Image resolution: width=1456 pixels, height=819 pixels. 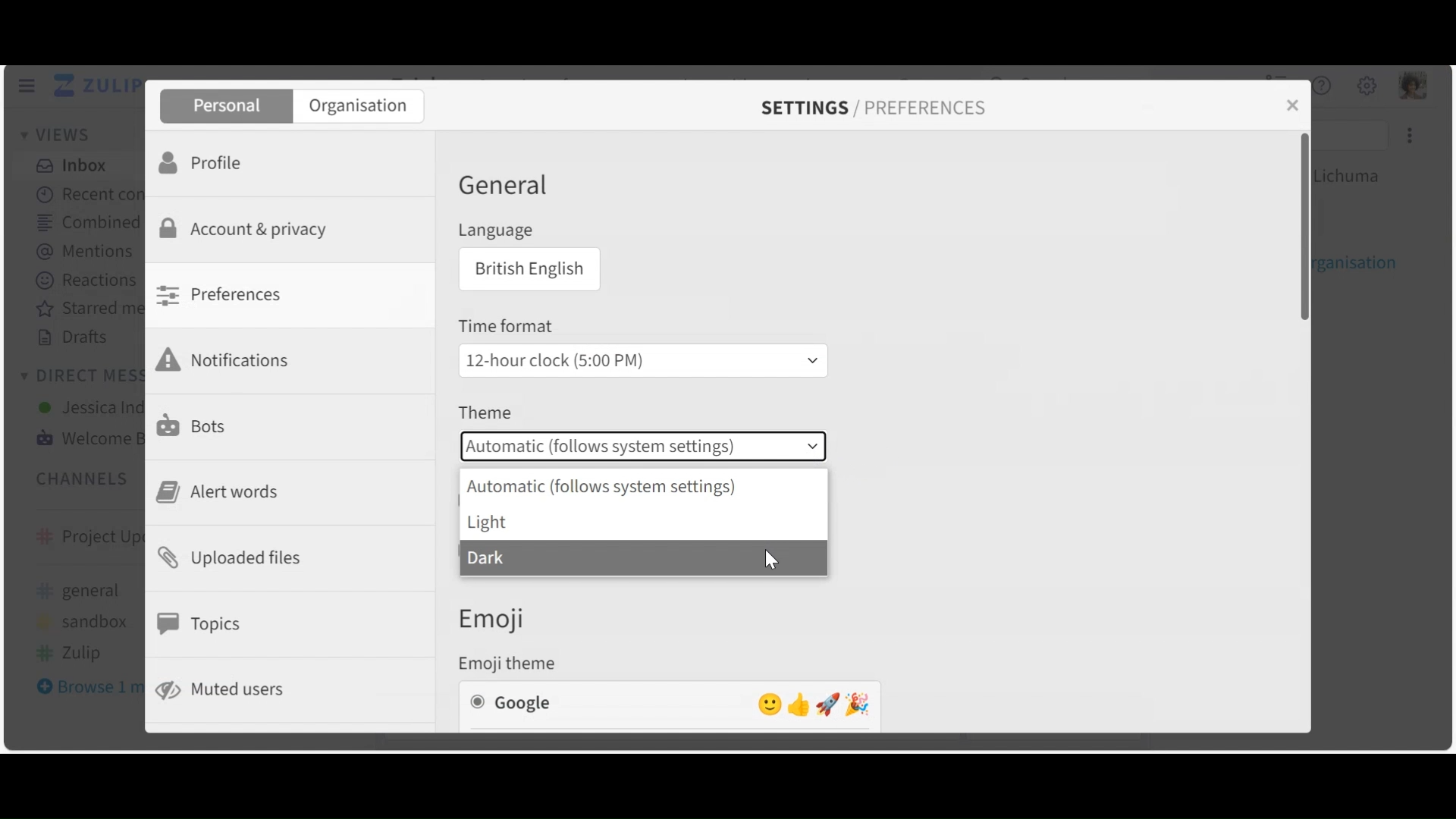 I want to click on Close, so click(x=1291, y=106).